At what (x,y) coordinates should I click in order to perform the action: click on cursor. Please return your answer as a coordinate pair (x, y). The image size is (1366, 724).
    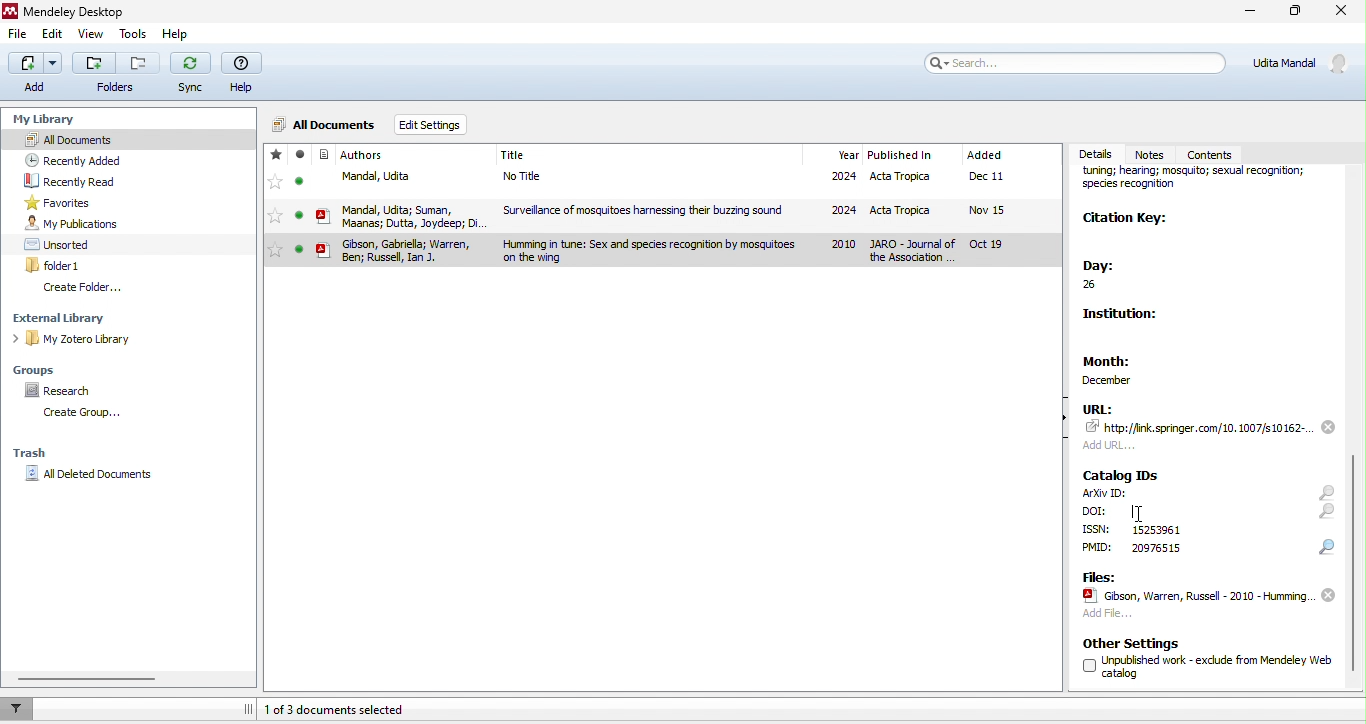
    Looking at the image, I should click on (1140, 515).